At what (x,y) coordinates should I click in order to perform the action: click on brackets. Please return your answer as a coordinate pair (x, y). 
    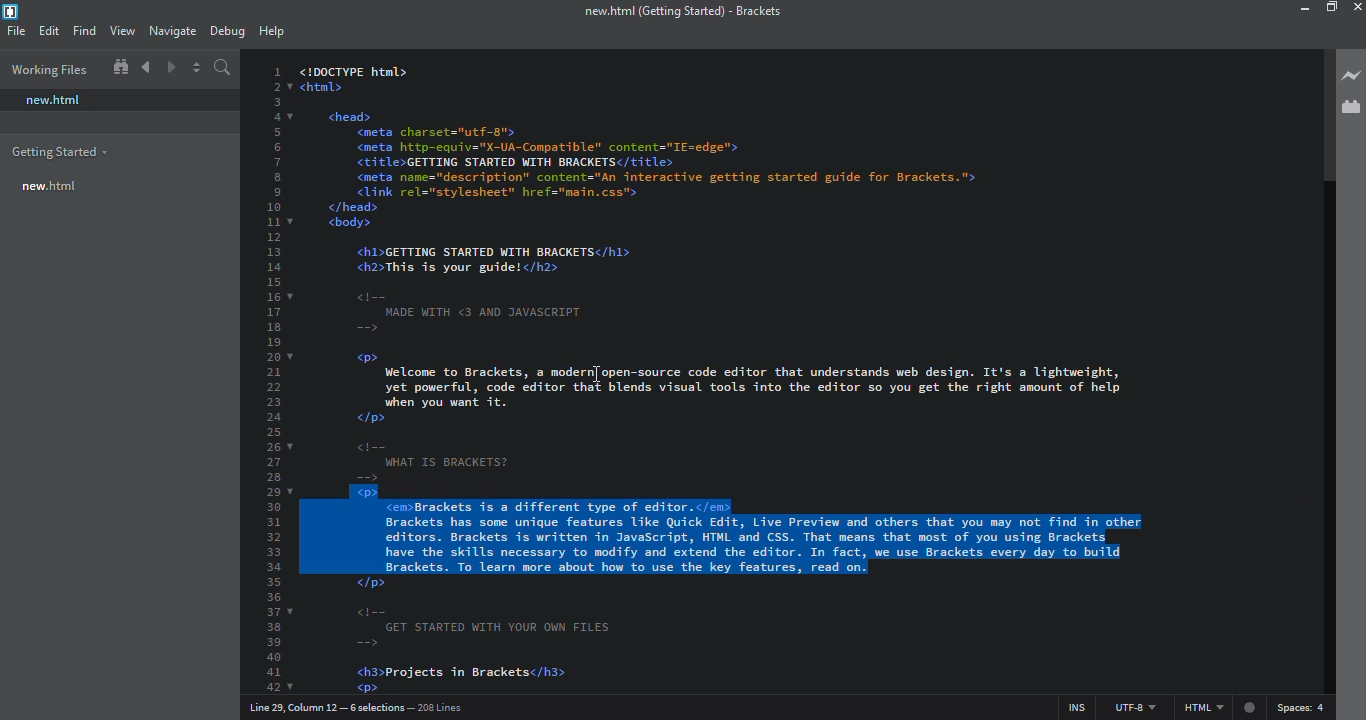
    Looking at the image, I should click on (677, 11).